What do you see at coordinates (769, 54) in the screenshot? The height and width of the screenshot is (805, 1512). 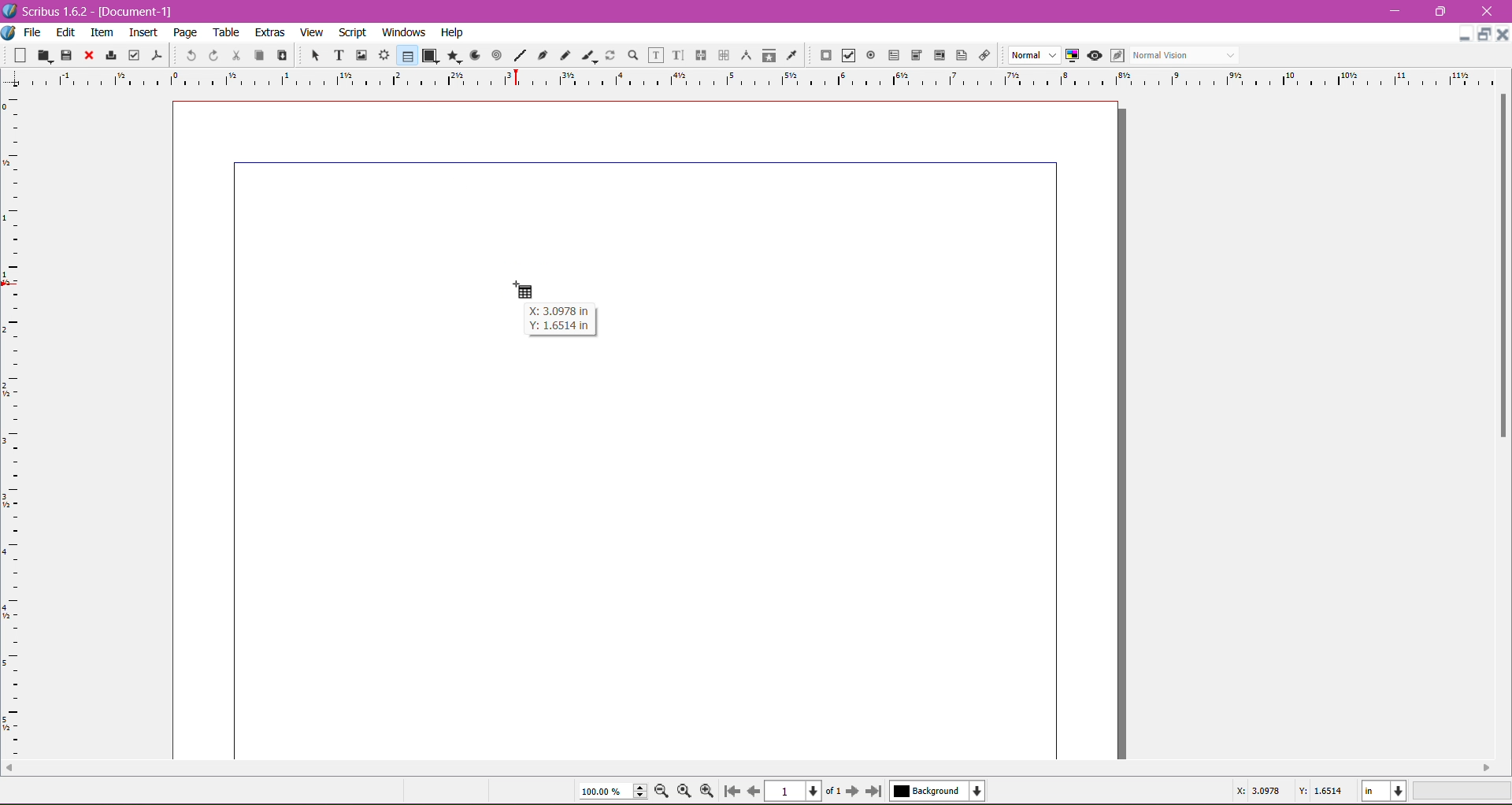 I see `Copy Item Properties` at bounding box center [769, 54].